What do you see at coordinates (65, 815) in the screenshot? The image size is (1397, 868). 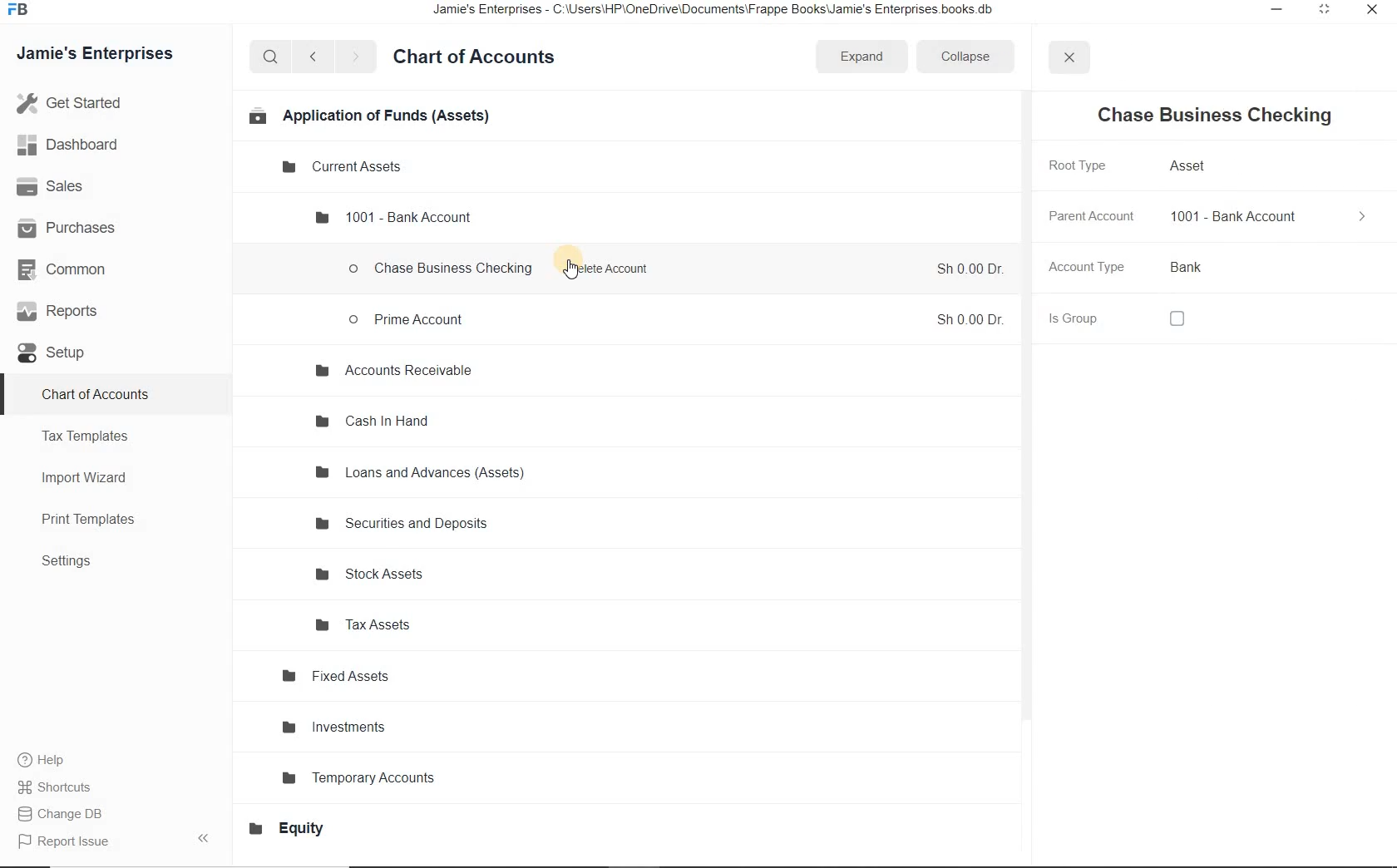 I see `Change DB` at bounding box center [65, 815].